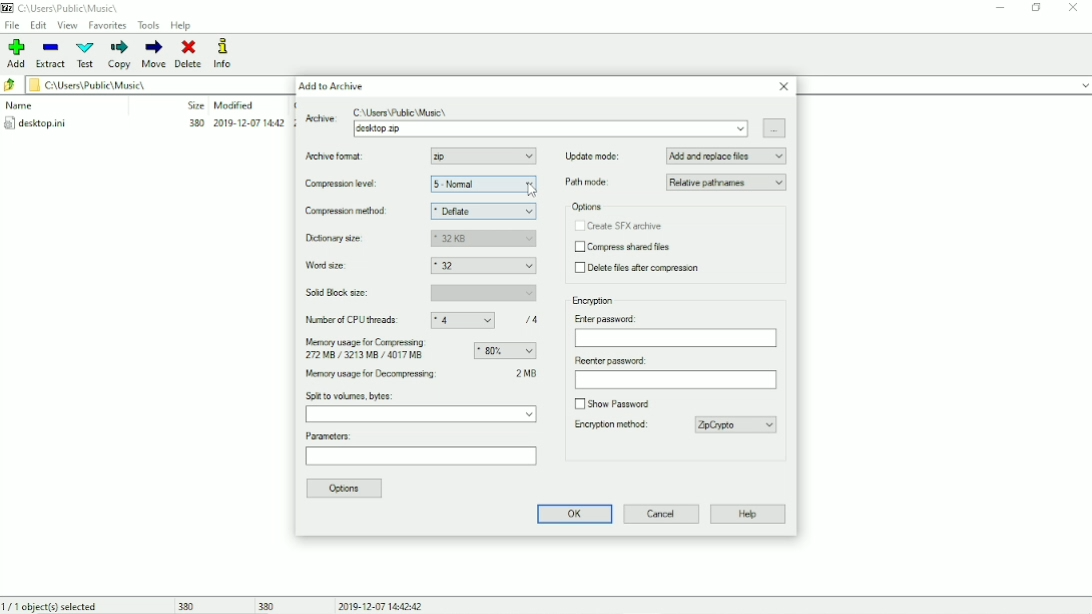 This screenshot has height=614, width=1092. What do you see at coordinates (552, 109) in the screenshot?
I see `Archive` at bounding box center [552, 109].